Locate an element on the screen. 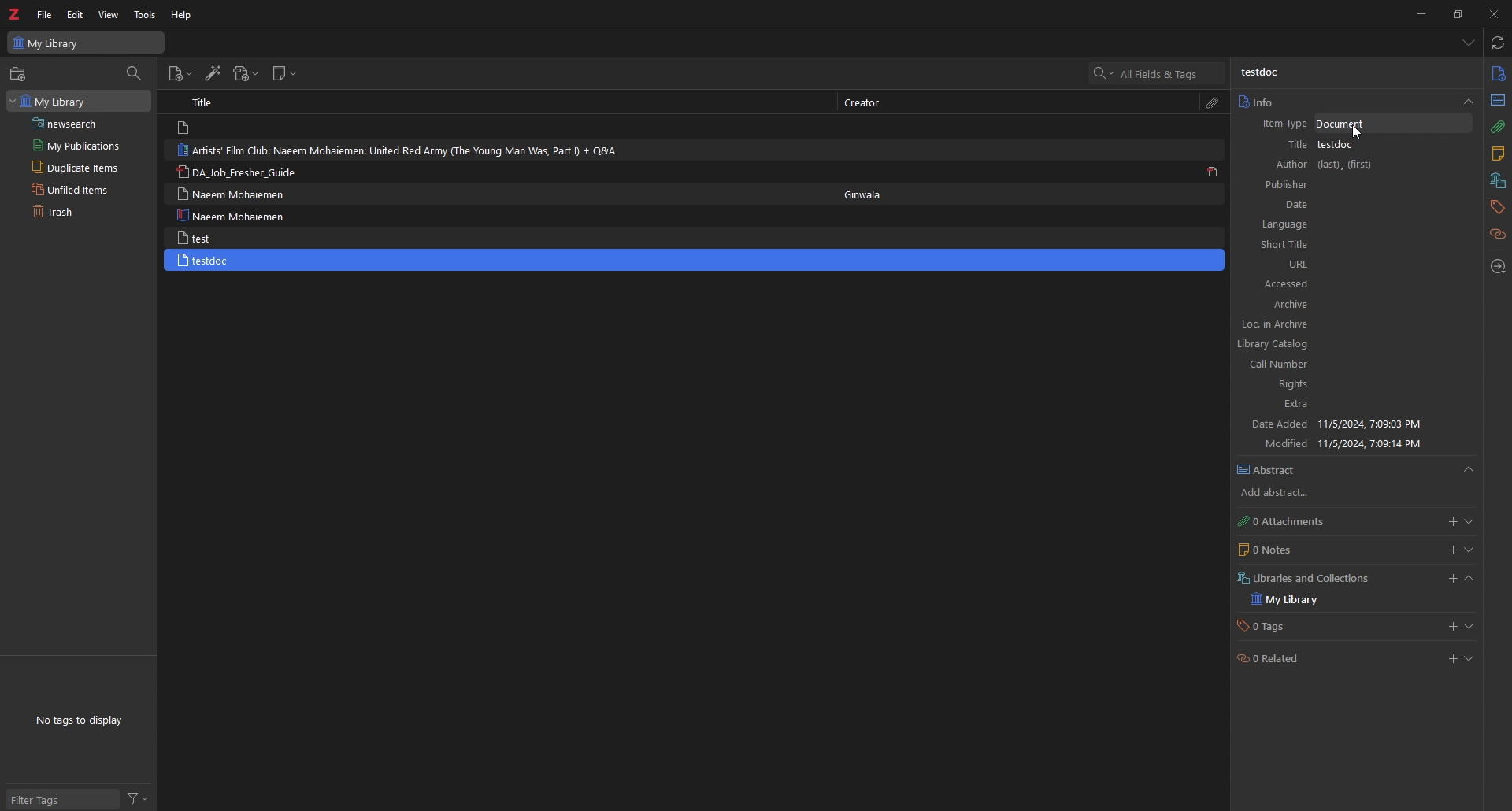  Creator is located at coordinates (865, 104).